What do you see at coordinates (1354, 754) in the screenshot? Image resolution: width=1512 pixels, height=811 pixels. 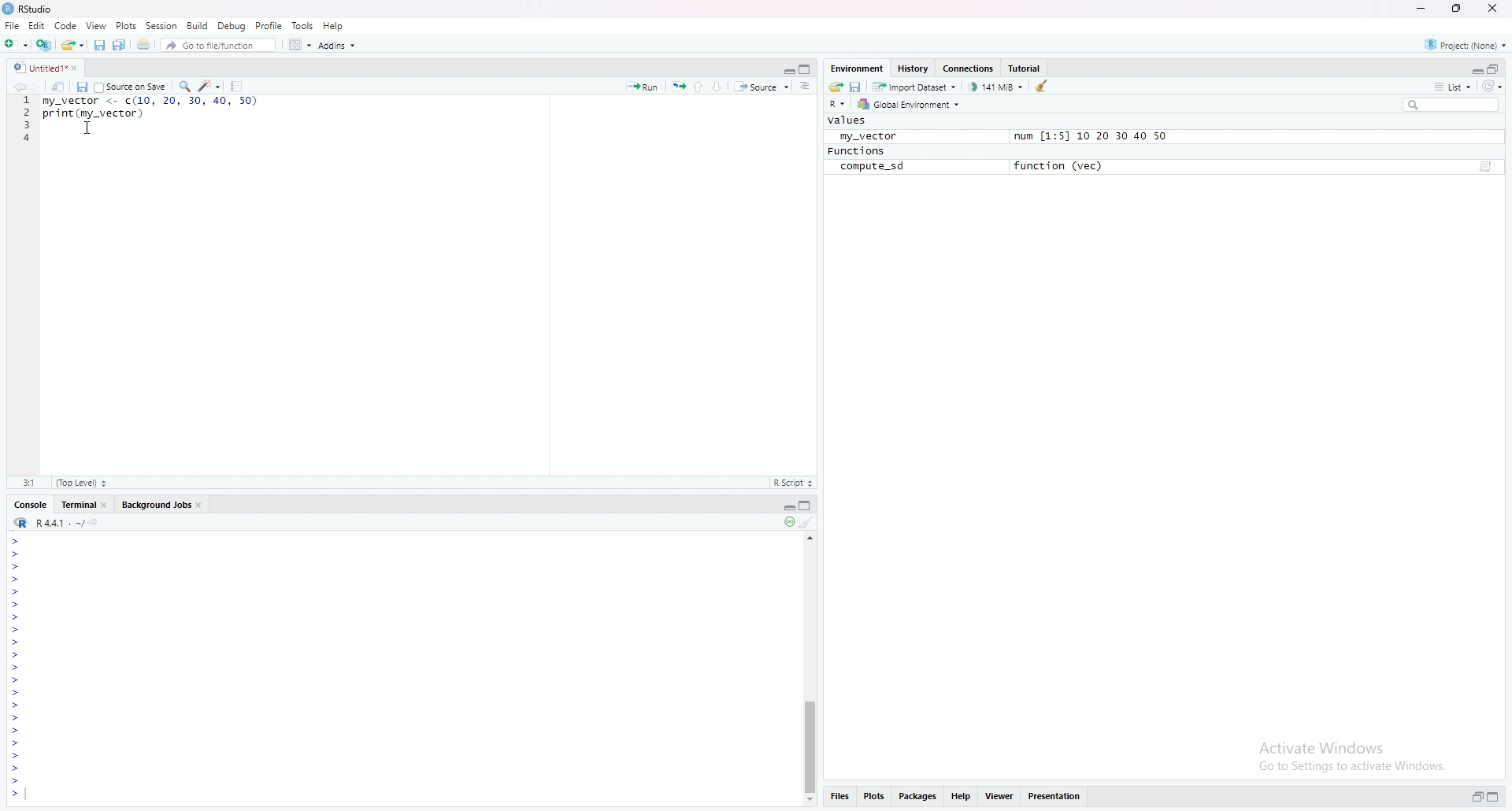 I see `Activate Windows
Go to Settings to activate Windows.` at bounding box center [1354, 754].